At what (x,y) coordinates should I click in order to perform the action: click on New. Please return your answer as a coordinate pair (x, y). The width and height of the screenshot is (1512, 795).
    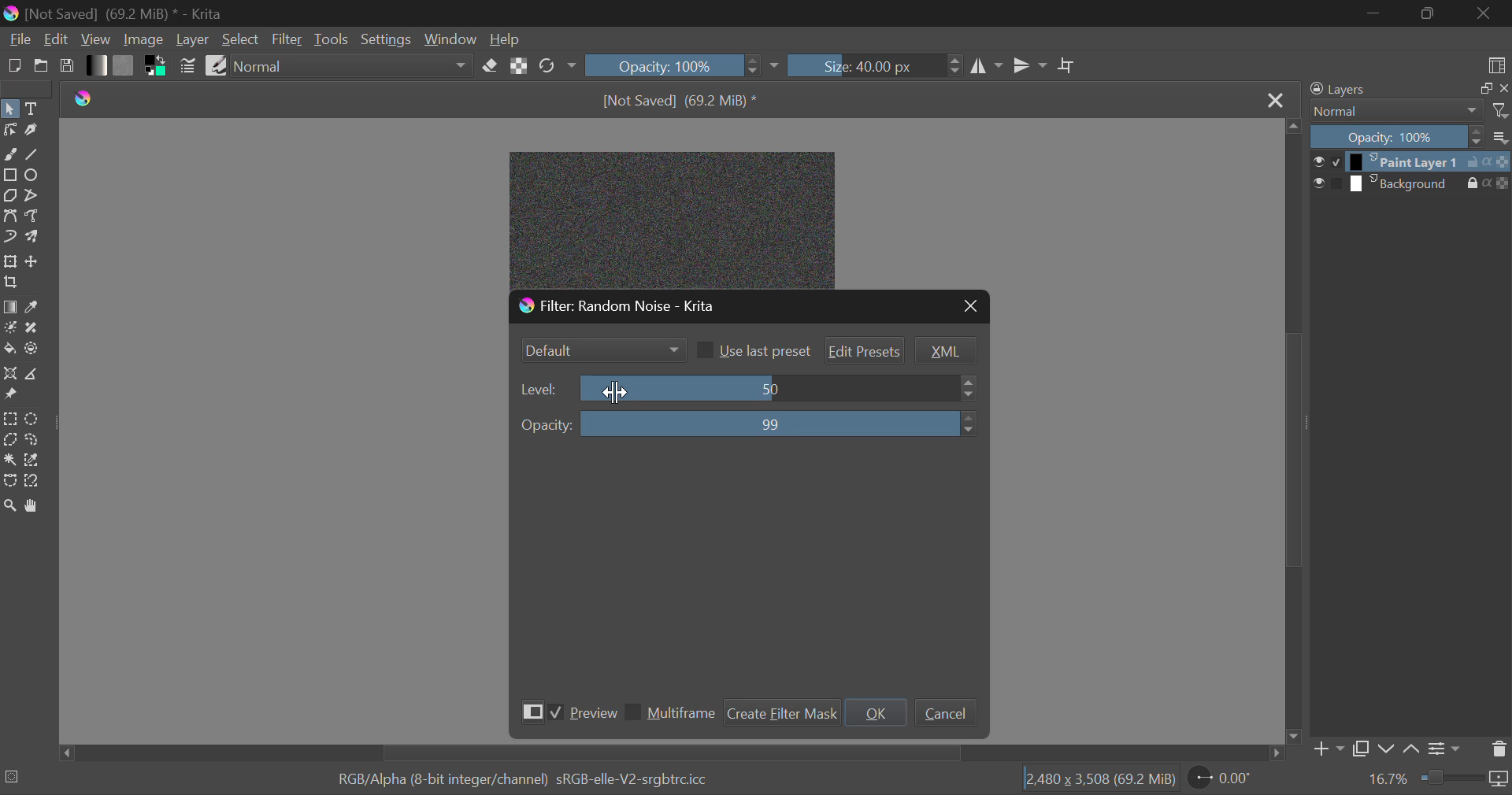
    Looking at the image, I should click on (13, 66).